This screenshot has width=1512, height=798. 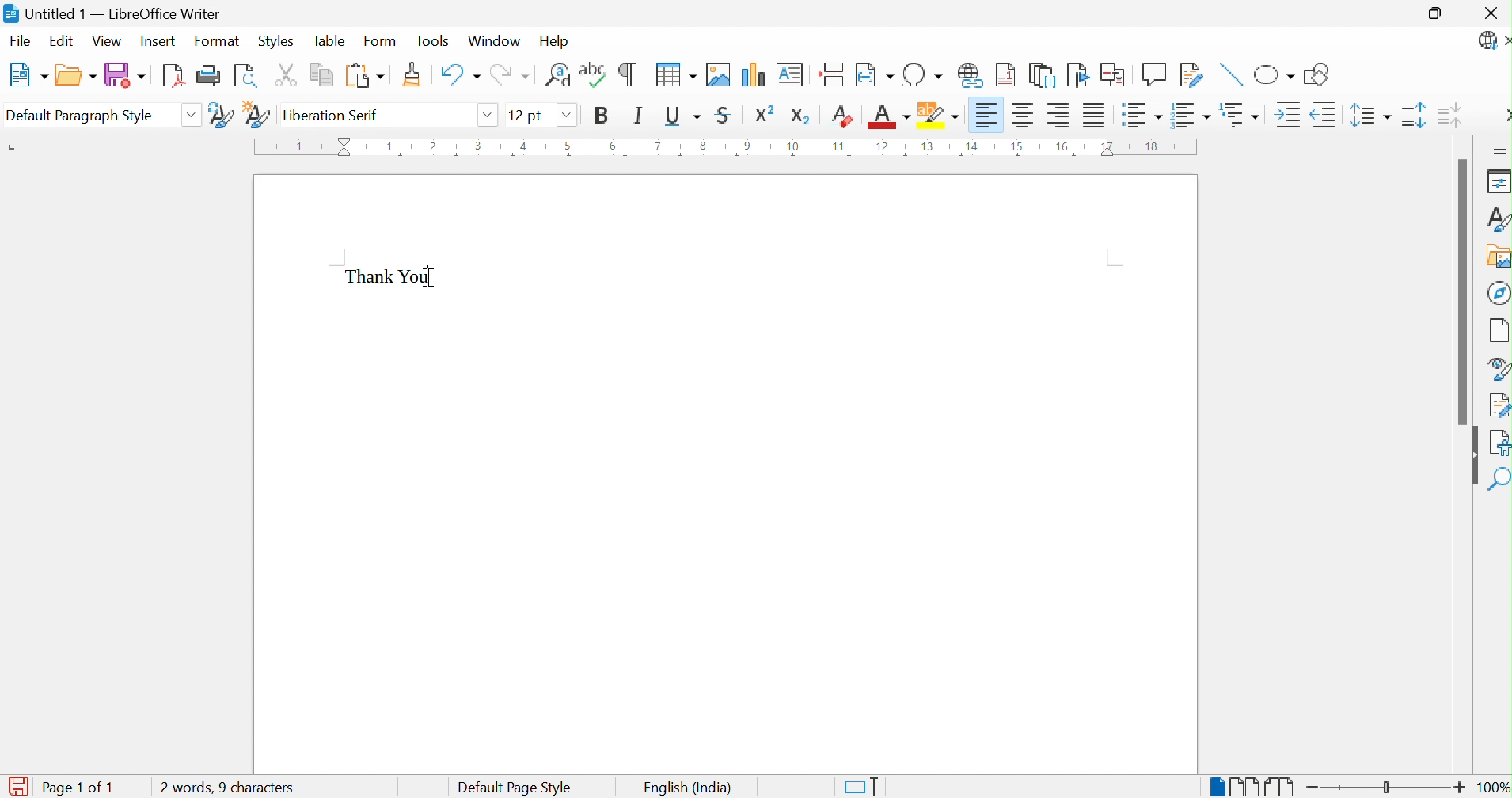 I want to click on Strikethrough, so click(x=725, y=113).